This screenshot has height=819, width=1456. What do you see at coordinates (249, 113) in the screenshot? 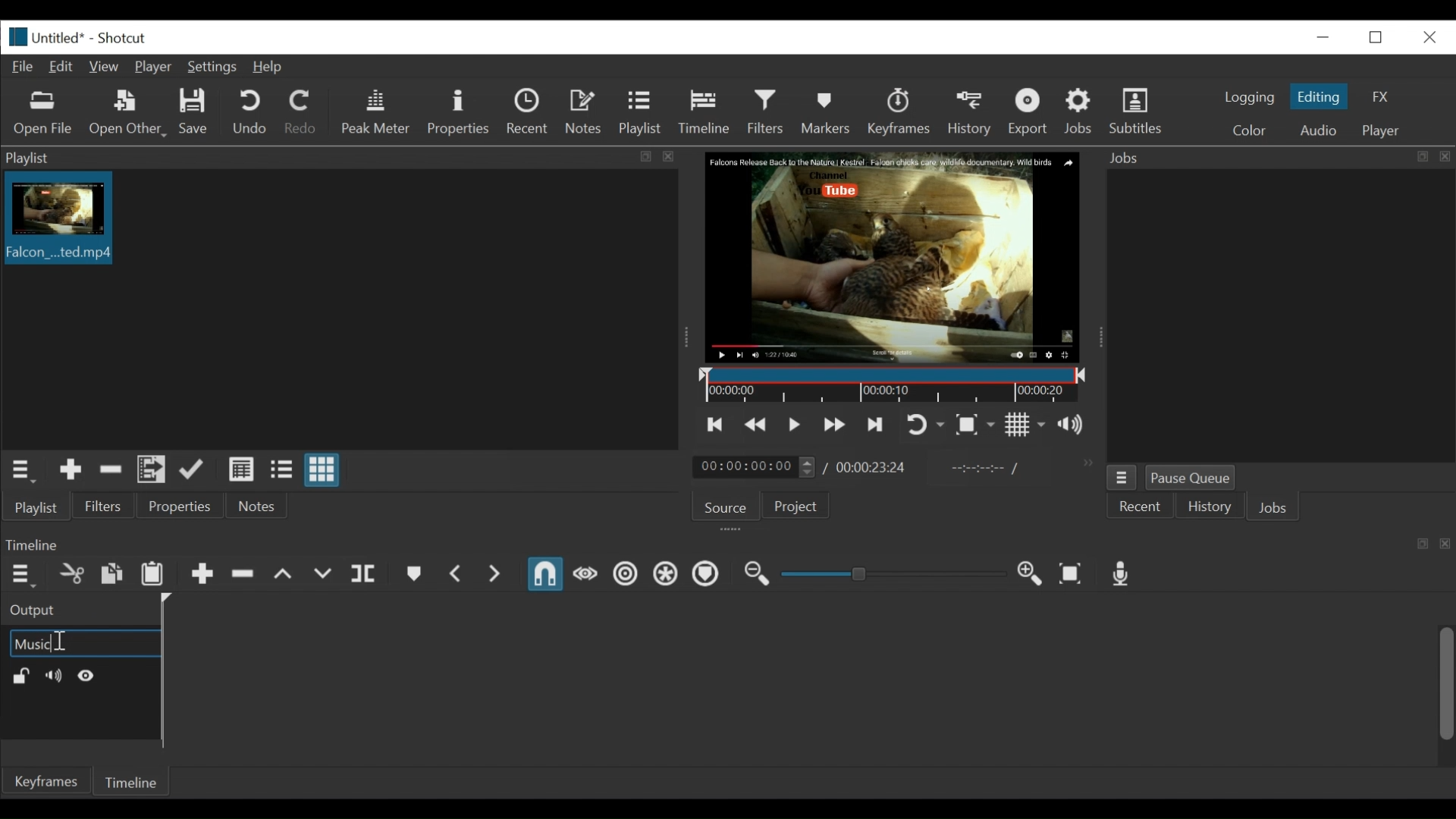
I see `Undo` at bounding box center [249, 113].